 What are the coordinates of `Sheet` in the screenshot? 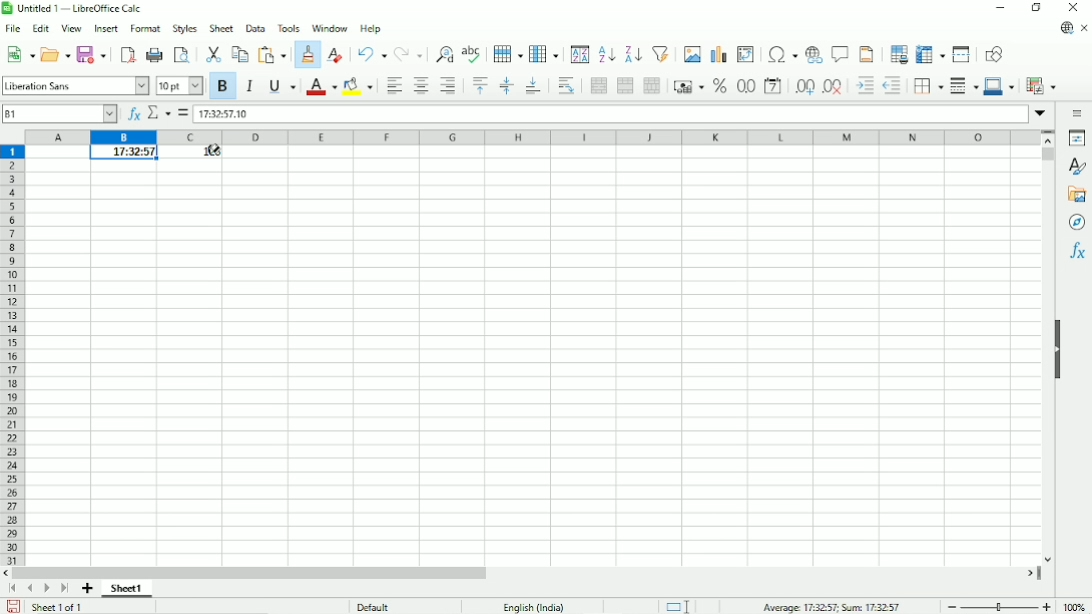 It's located at (221, 29).